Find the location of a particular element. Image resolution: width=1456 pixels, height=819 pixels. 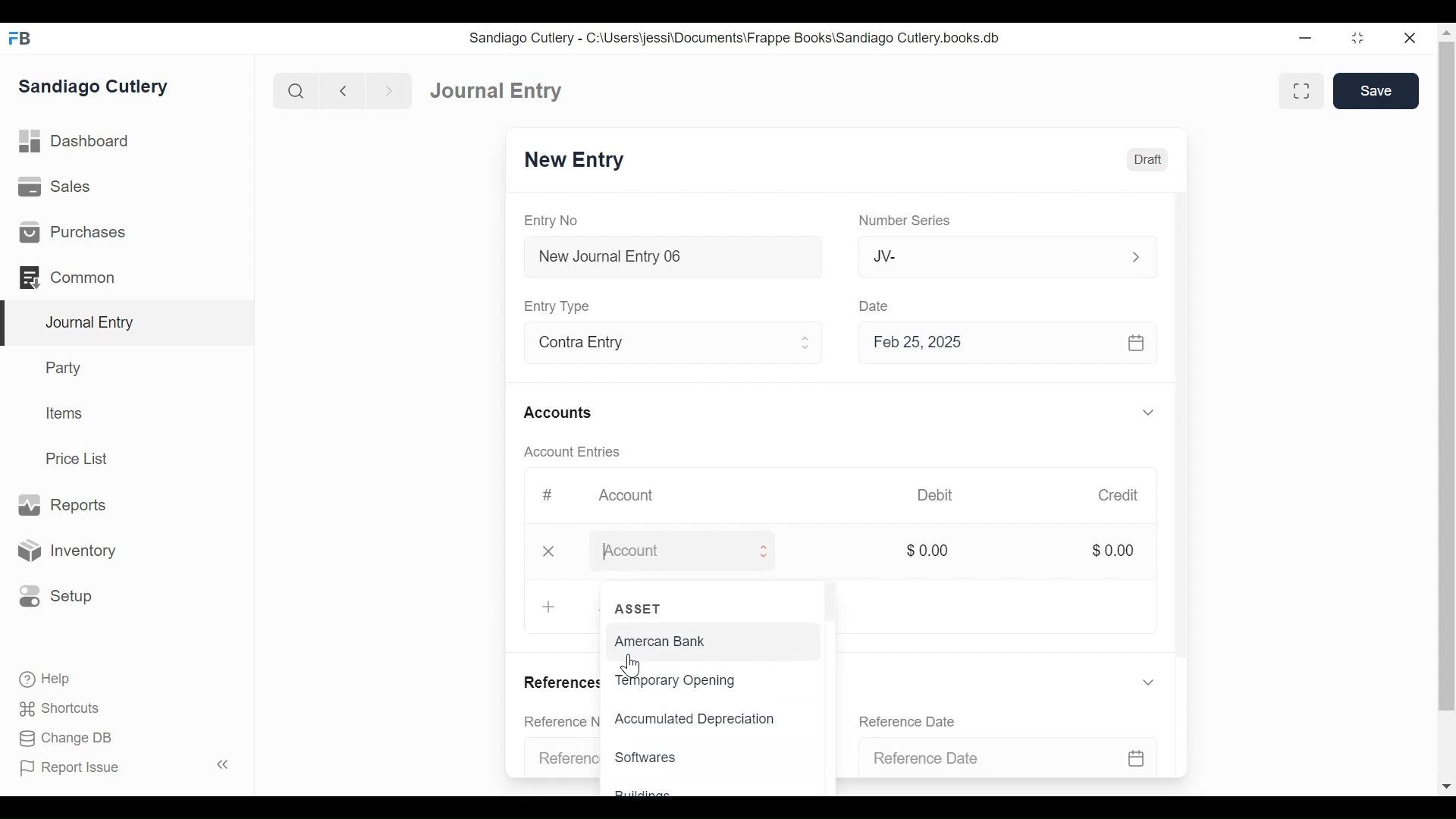

Contra Entry is located at coordinates (648, 344).